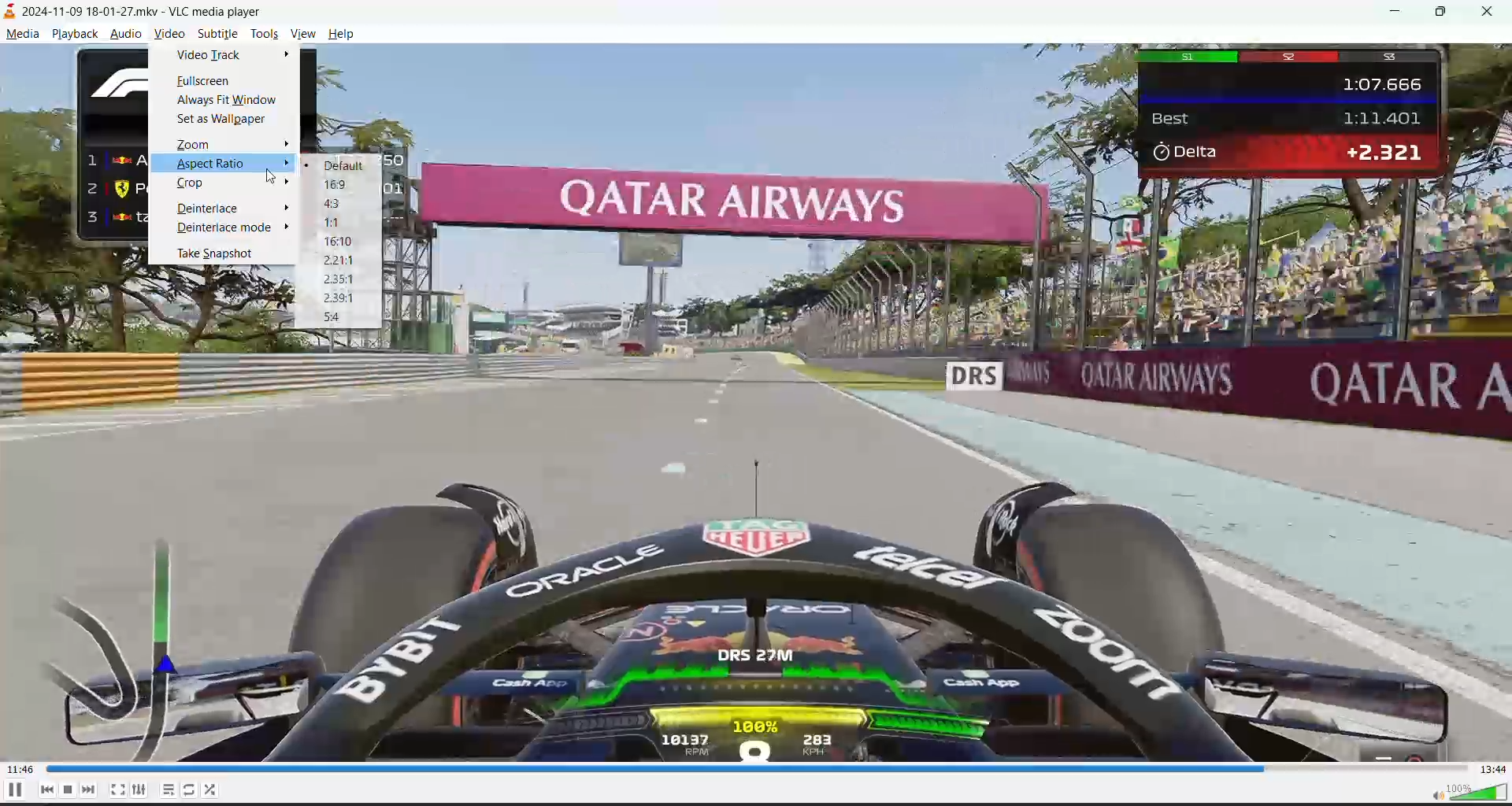 The height and width of the screenshot is (806, 1512). Describe the element at coordinates (217, 35) in the screenshot. I see `subtitle` at that location.